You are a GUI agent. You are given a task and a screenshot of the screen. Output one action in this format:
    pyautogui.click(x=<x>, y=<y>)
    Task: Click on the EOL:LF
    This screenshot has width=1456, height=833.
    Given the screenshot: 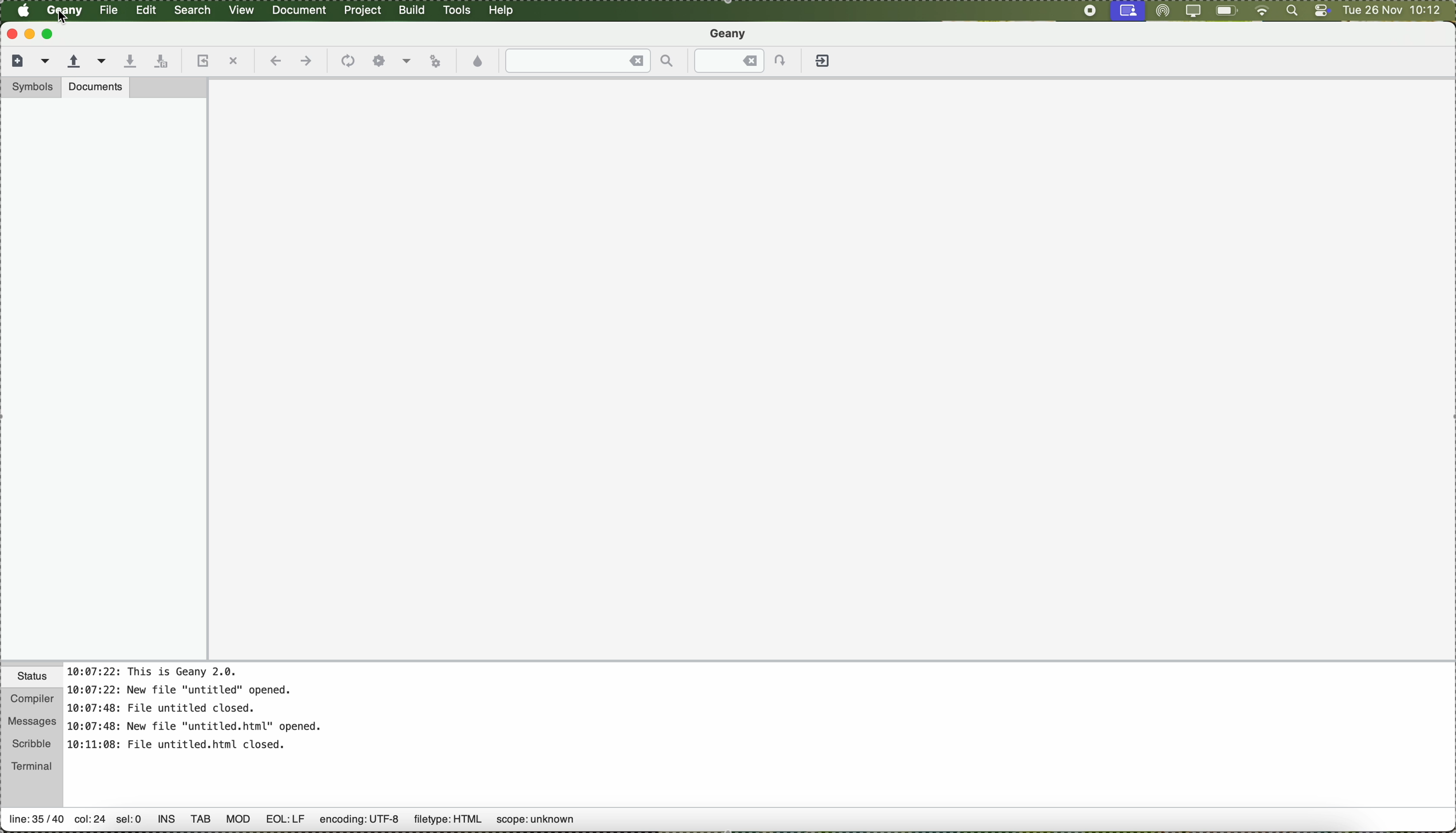 What is the action you would take?
    pyautogui.click(x=287, y=823)
    